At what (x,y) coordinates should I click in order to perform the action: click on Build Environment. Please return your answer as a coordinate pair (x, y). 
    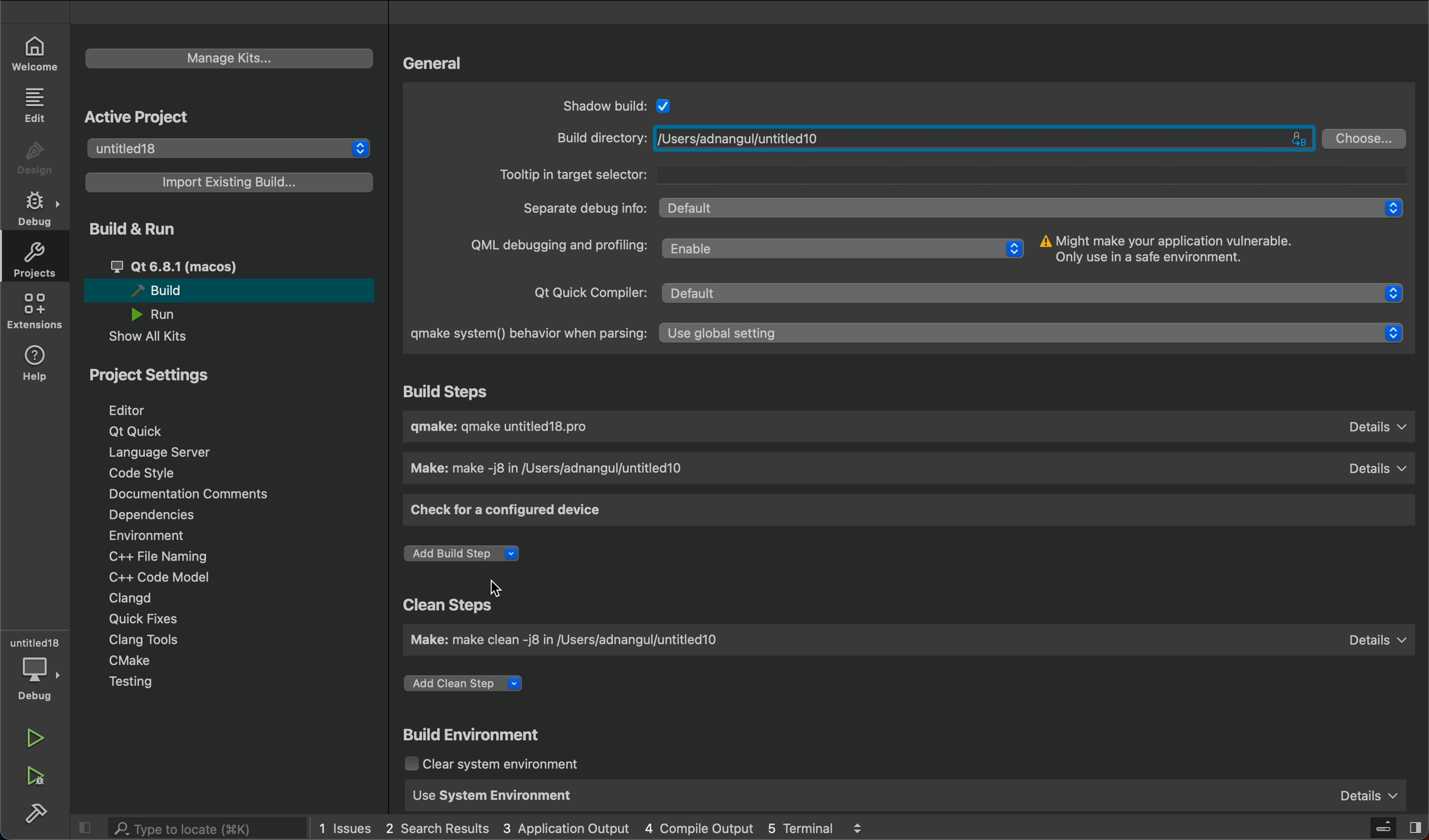
    Looking at the image, I should click on (471, 735).